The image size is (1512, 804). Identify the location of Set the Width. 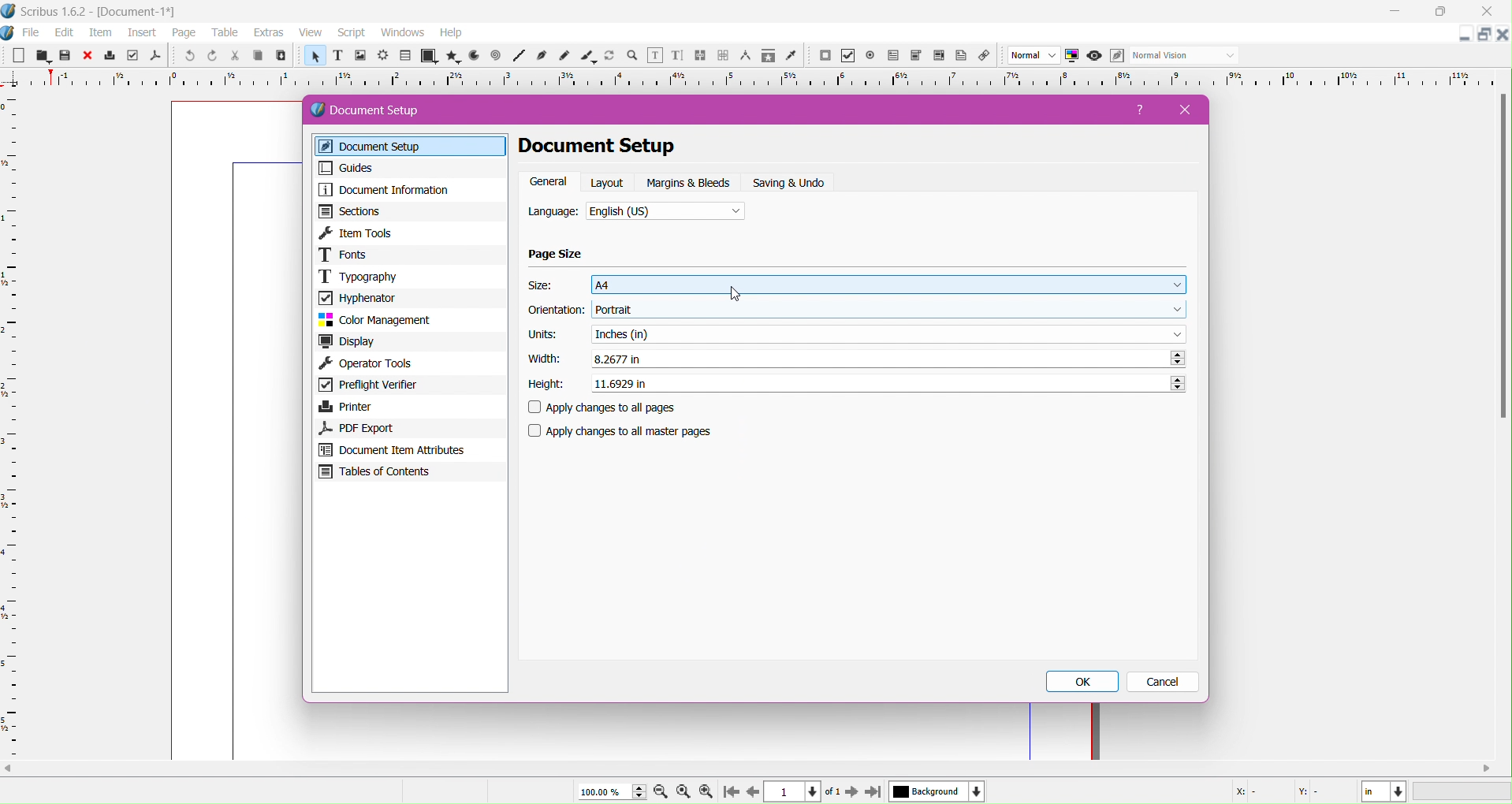
(888, 359).